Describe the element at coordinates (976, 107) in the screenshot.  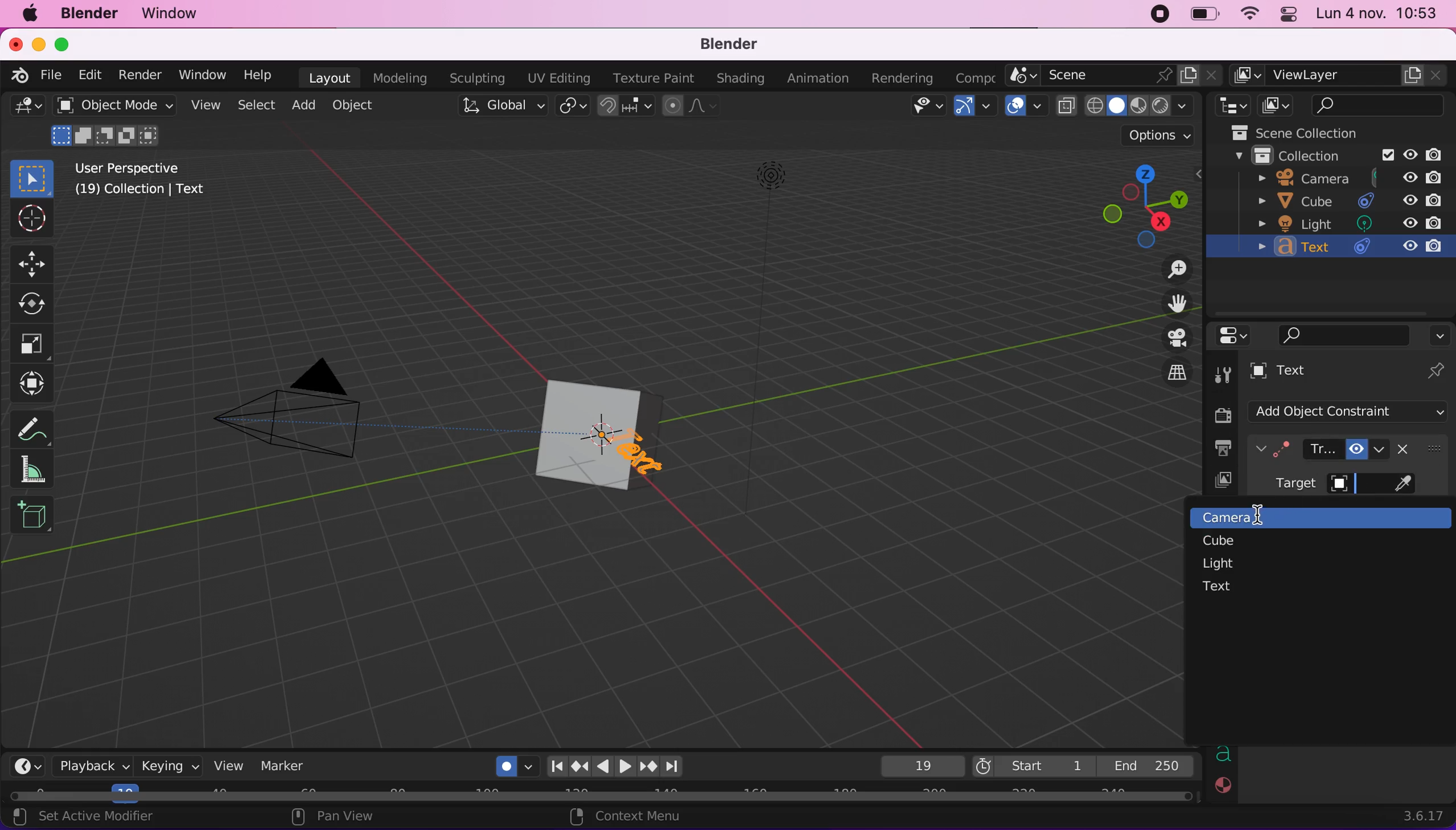
I see `gizmos` at that location.